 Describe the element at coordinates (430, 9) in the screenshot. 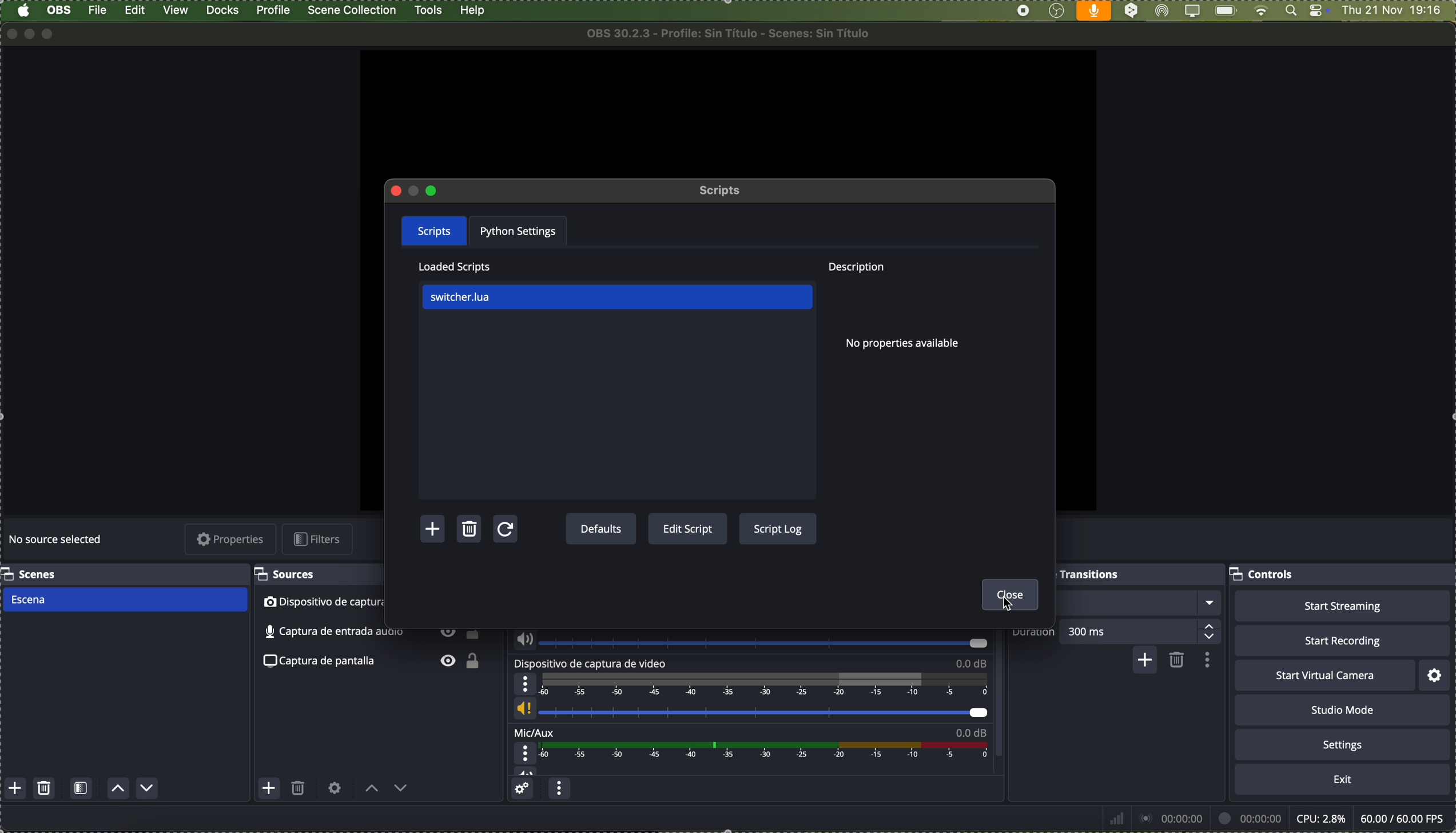

I see `click on tools` at that location.